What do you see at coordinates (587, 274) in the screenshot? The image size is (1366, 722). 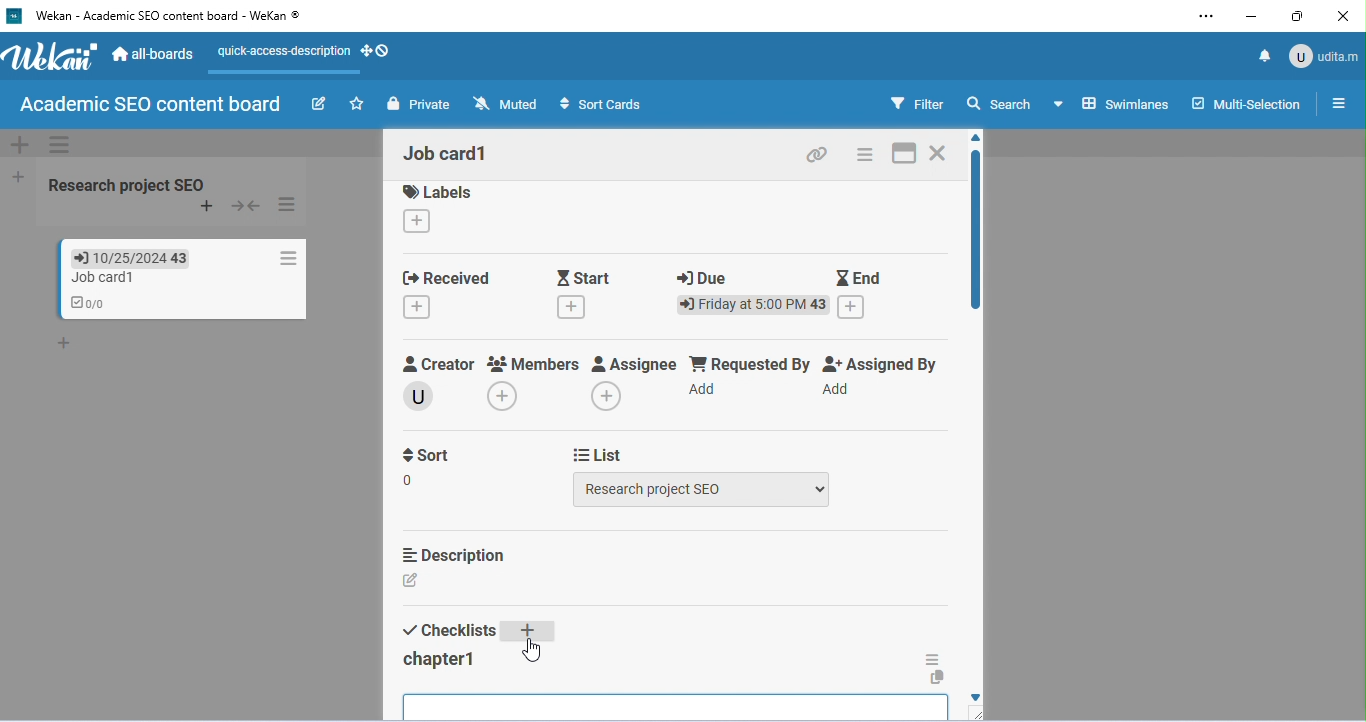 I see `start` at bounding box center [587, 274].